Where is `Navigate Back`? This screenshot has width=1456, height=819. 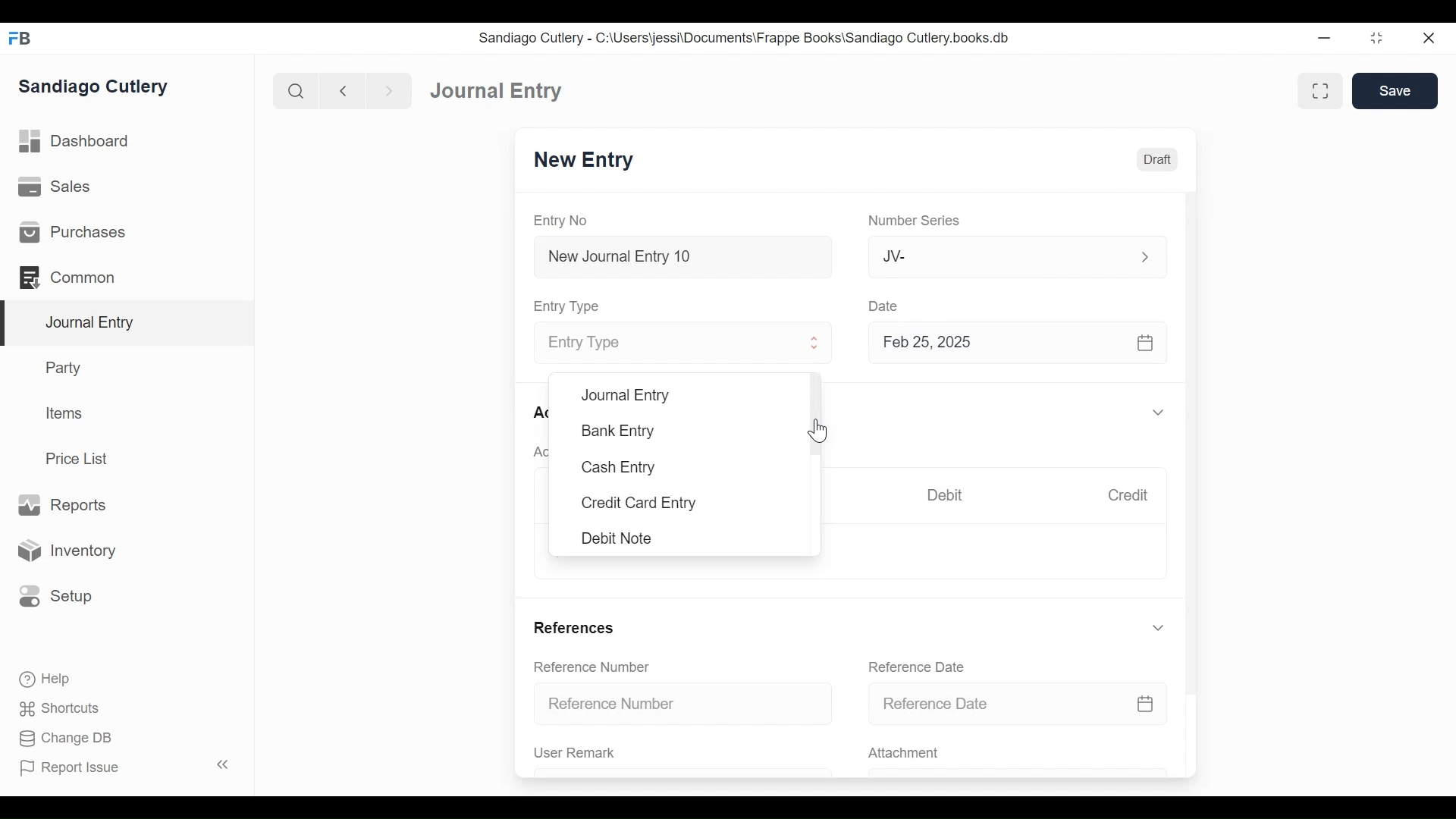 Navigate Back is located at coordinates (344, 91).